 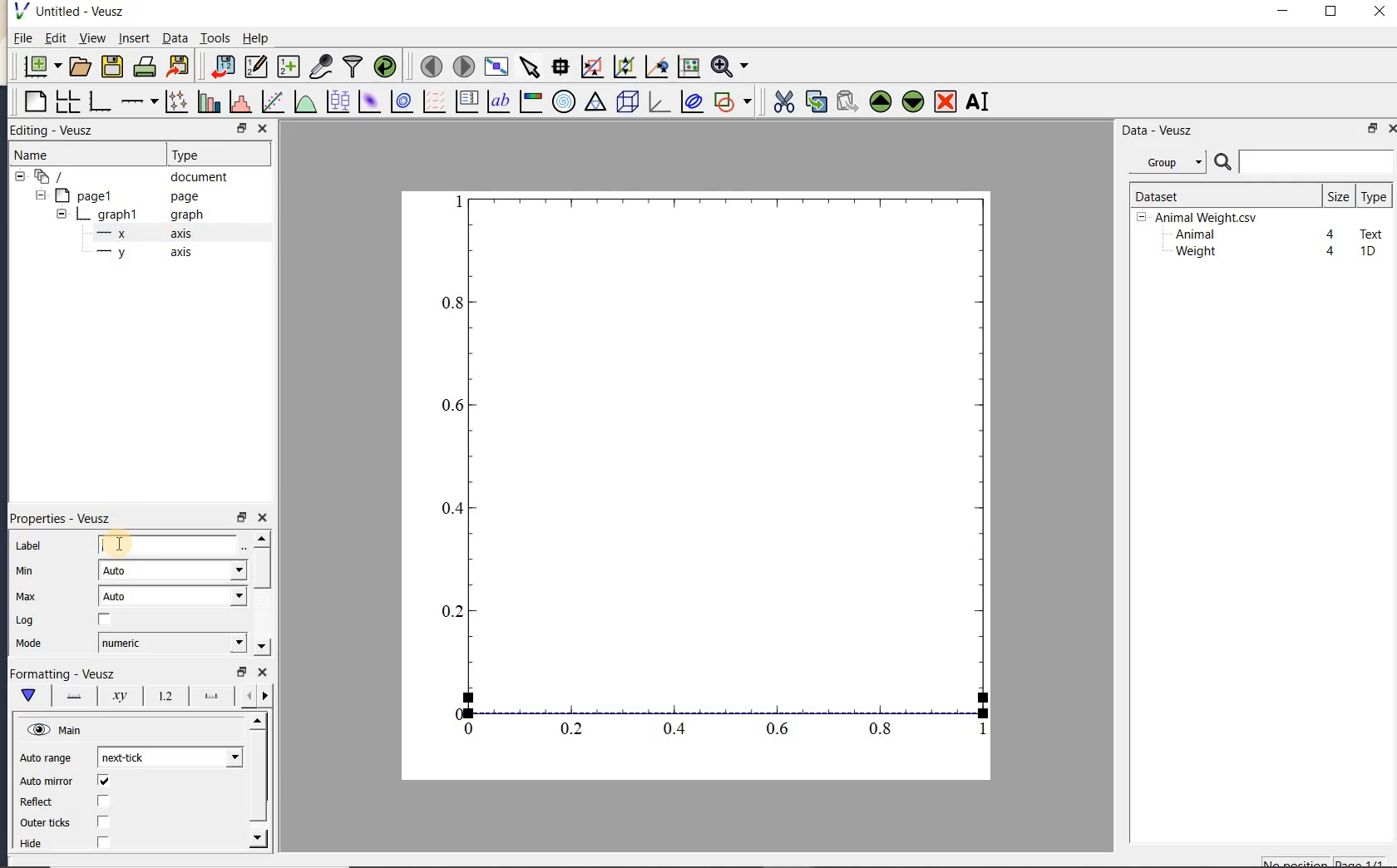 I want to click on axis line, so click(x=71, y=696).